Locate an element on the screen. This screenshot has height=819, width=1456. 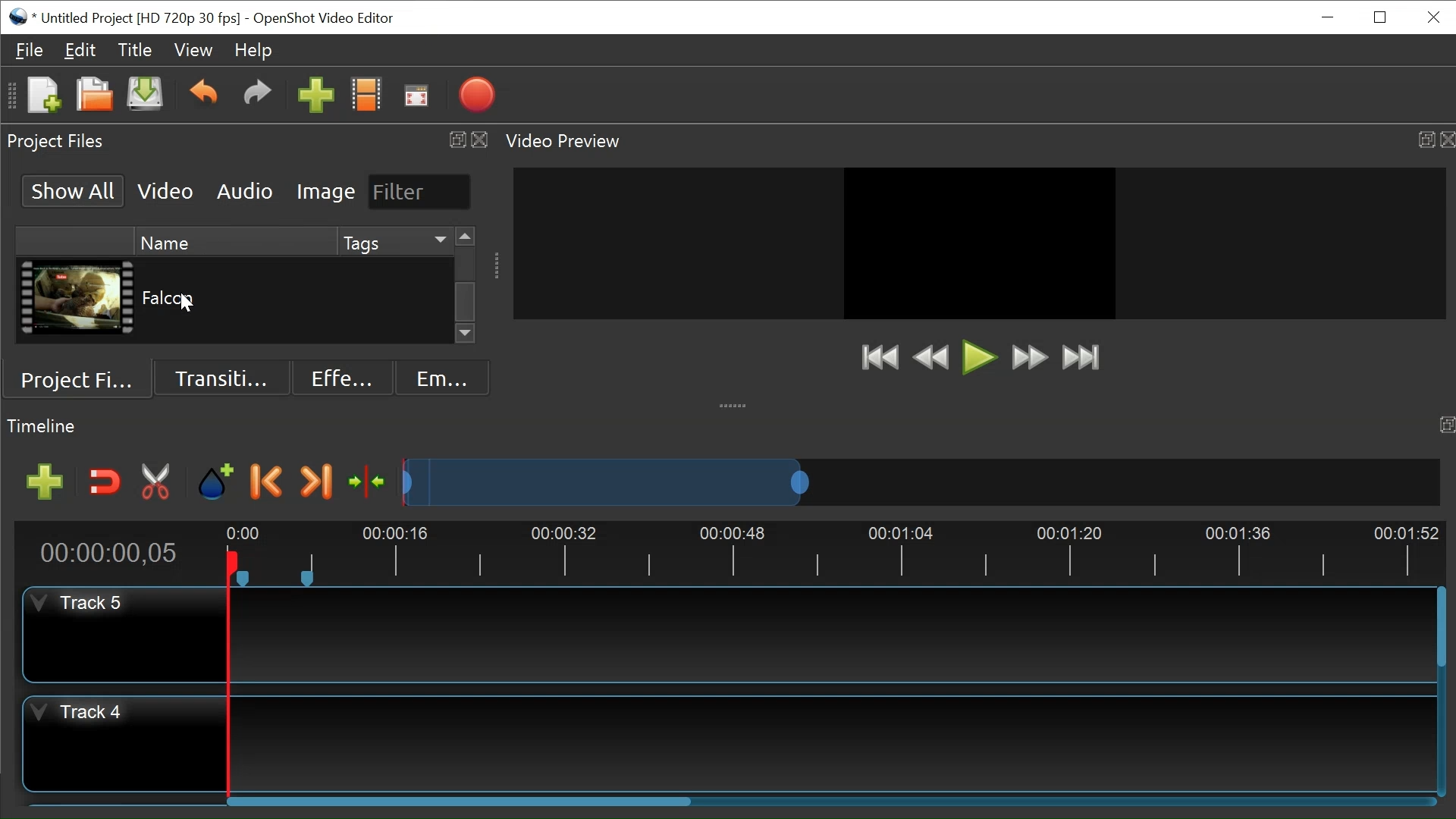
Name is located at coordinates (234, 299).